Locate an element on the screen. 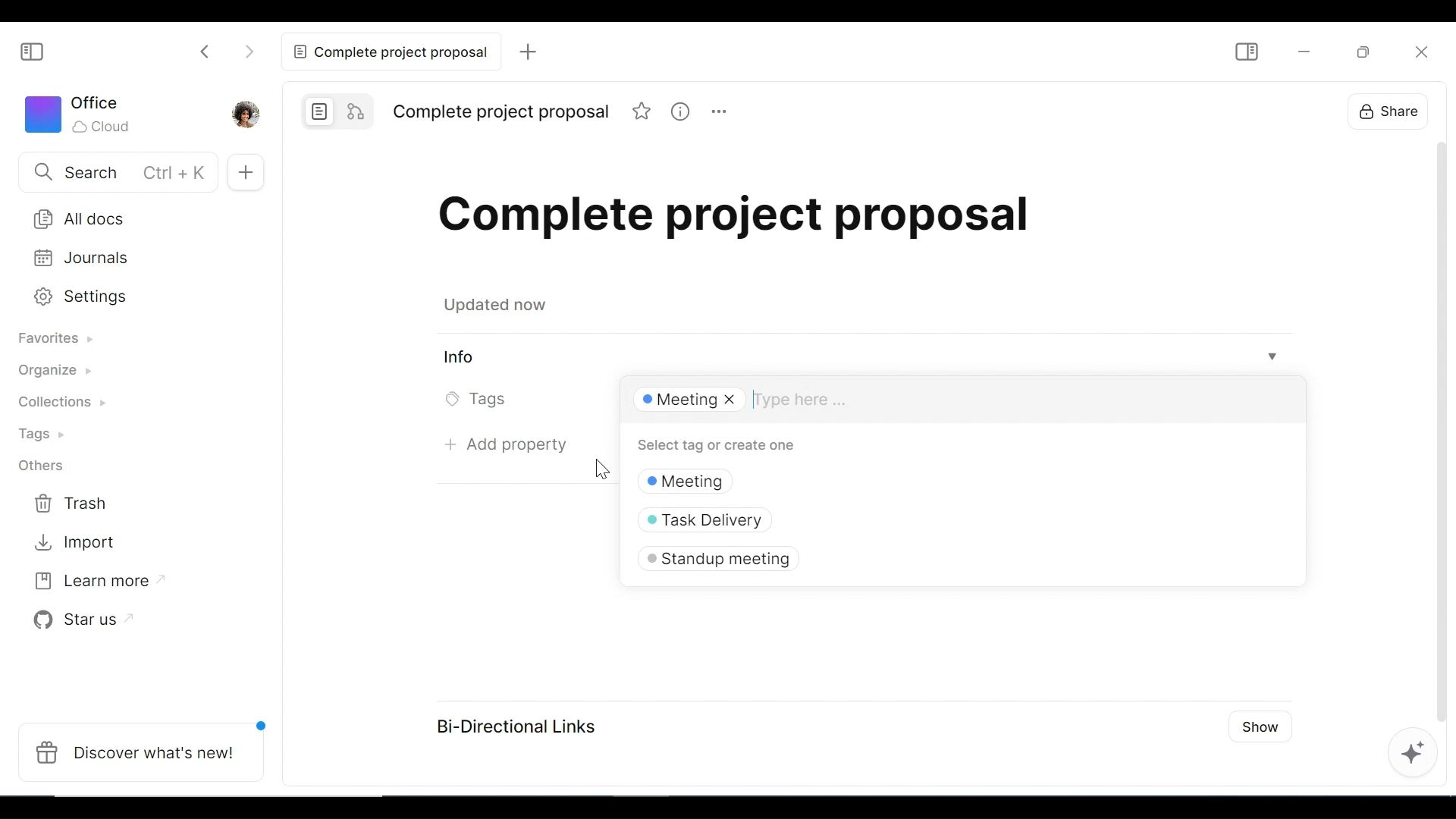 The height and width of the screenshot is (819, 1456). Favorites is located at coordinates (66, 341).